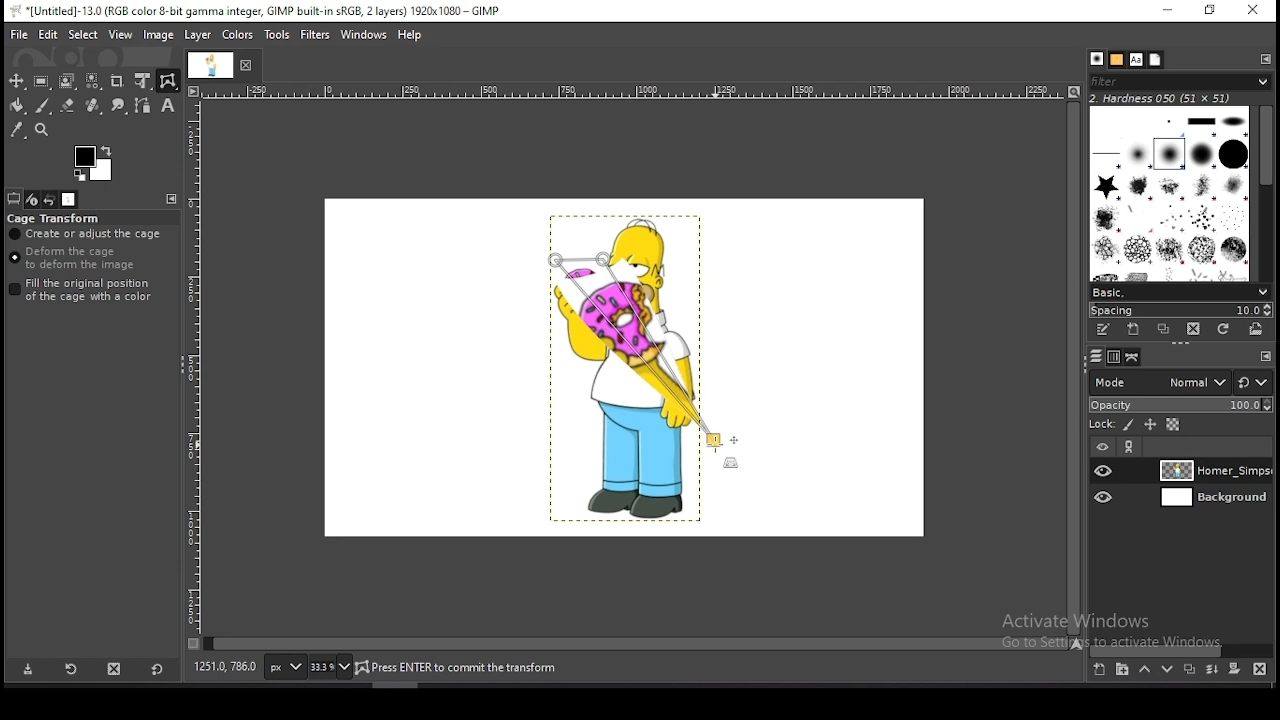 This screenshot has height=720, width=1280. What do you see at coordinates (83, 34) in the screenshot?
I see `select` at bounding box center [83, 34].